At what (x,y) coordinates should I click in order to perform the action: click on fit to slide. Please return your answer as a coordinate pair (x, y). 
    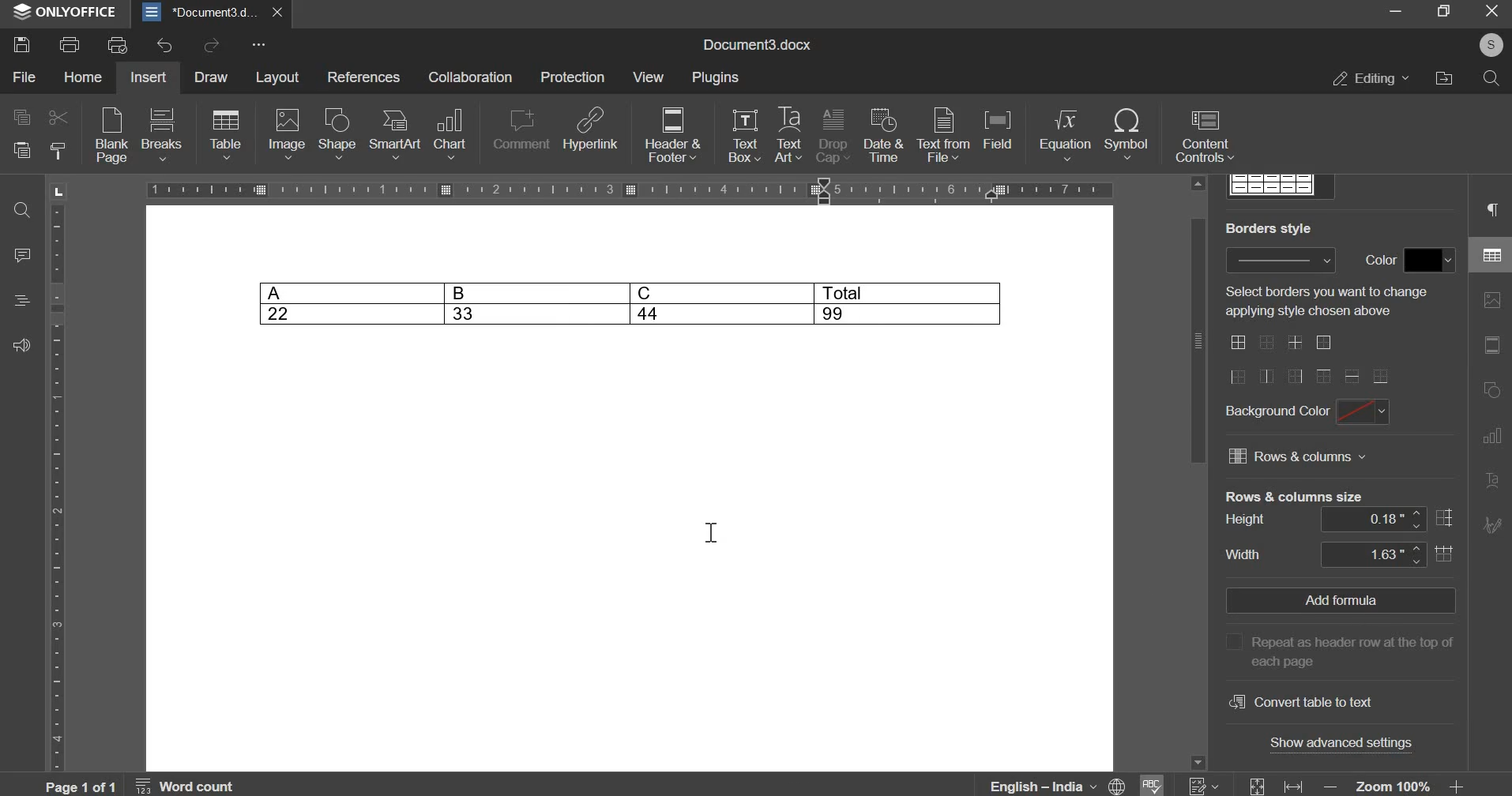
    Looking at the image, I should click on (1257, 786).